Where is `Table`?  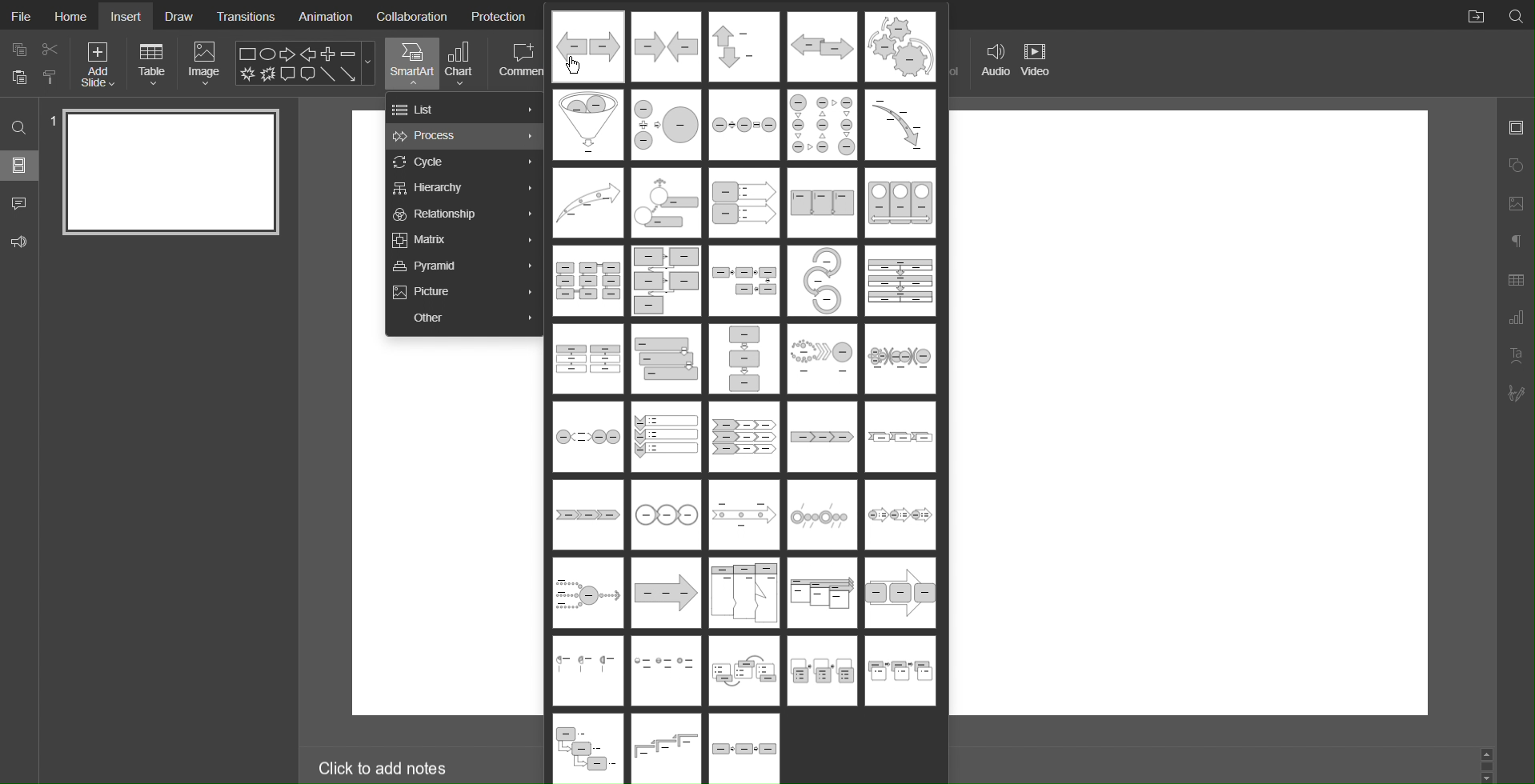
Table is located at coordinates (153, 64).